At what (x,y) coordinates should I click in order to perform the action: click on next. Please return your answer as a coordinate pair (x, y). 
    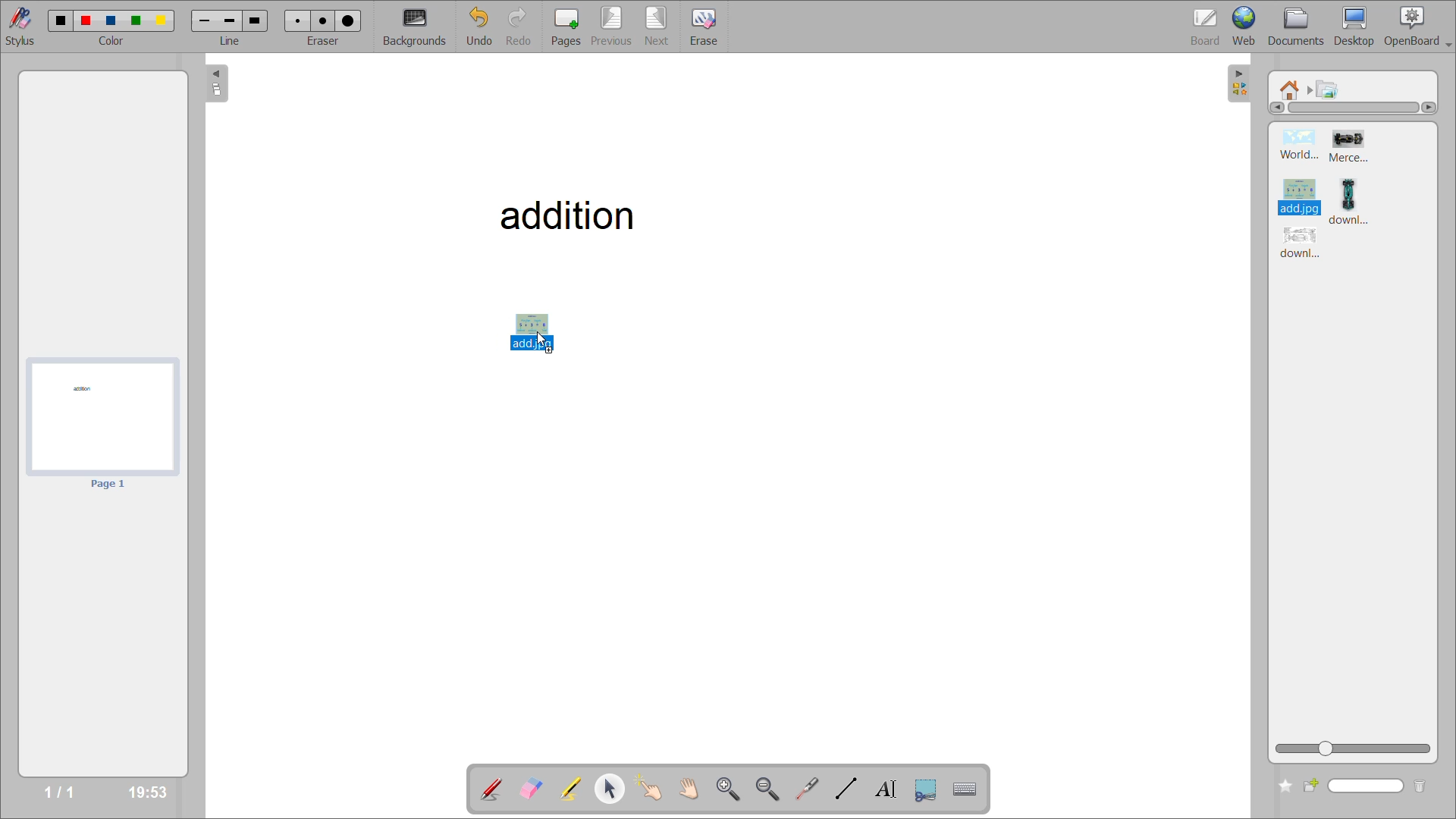
    Looking at the image, I should click on (658, 27).